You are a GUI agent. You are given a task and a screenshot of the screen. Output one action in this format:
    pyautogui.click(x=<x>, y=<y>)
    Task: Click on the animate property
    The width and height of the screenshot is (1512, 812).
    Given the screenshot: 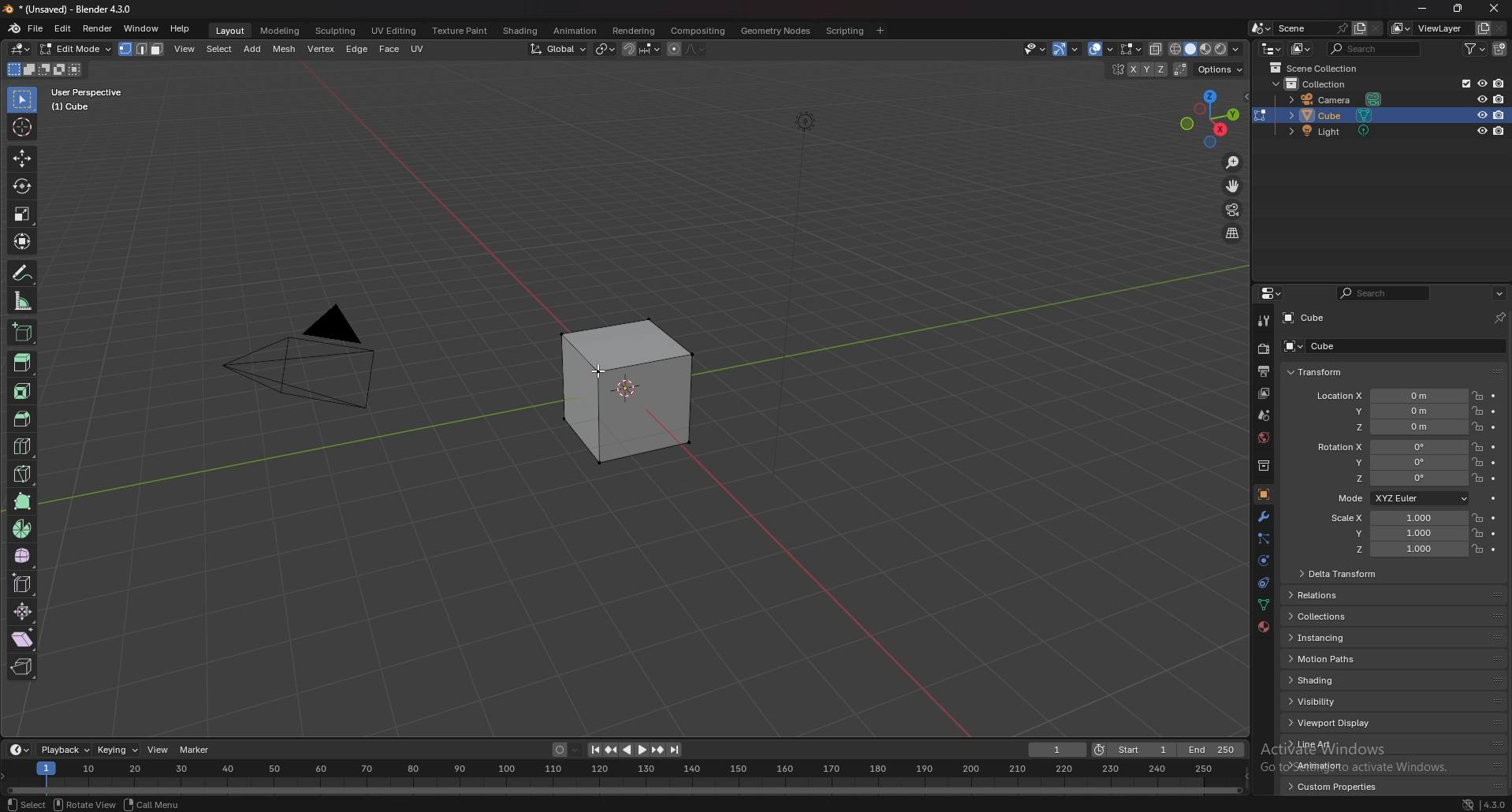 What is the action you would take?
    pyautogui.click(x=1494, y=427)
    